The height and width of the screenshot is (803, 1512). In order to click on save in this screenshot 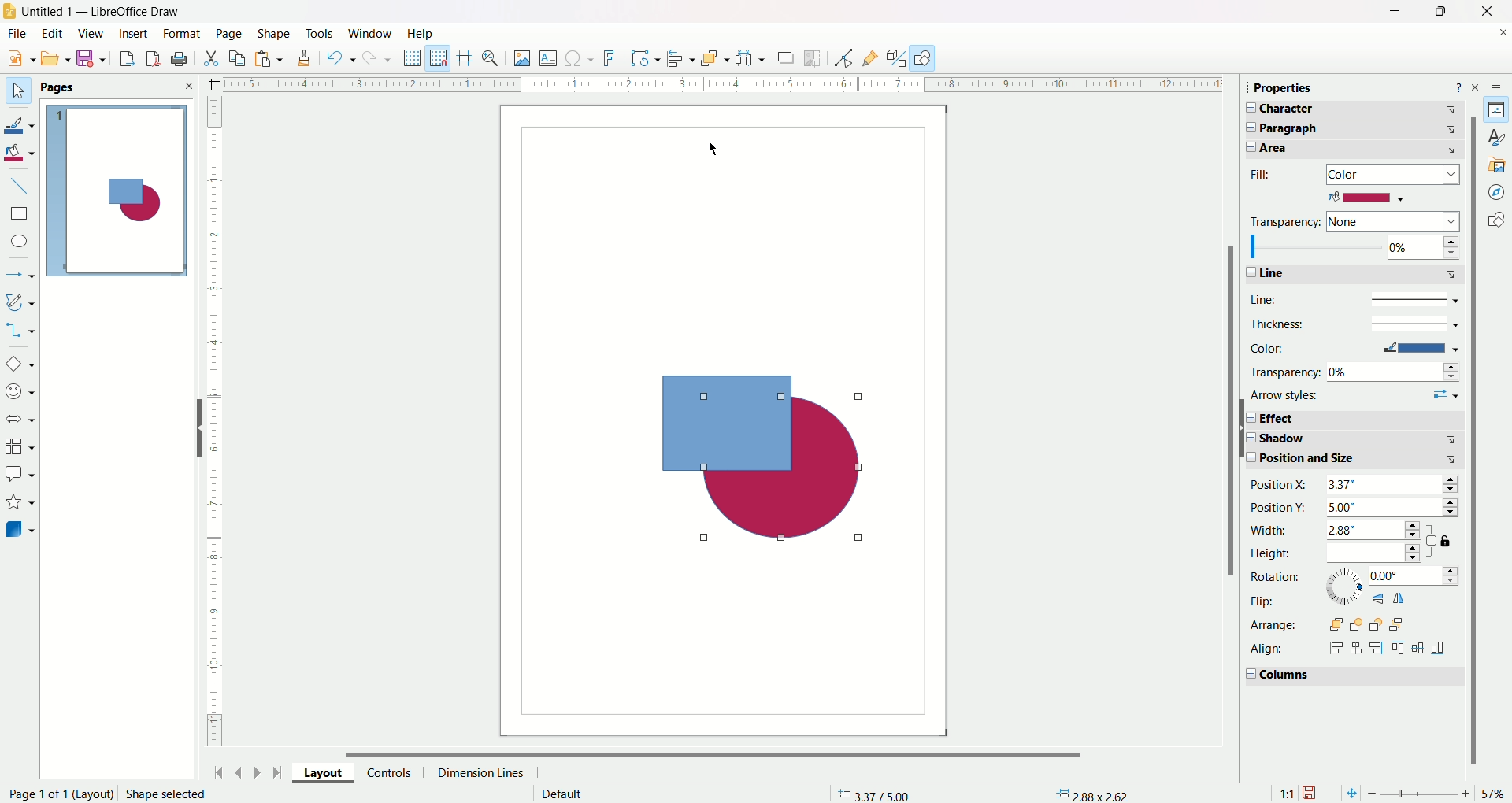, I will do `click(1313, 790)`.